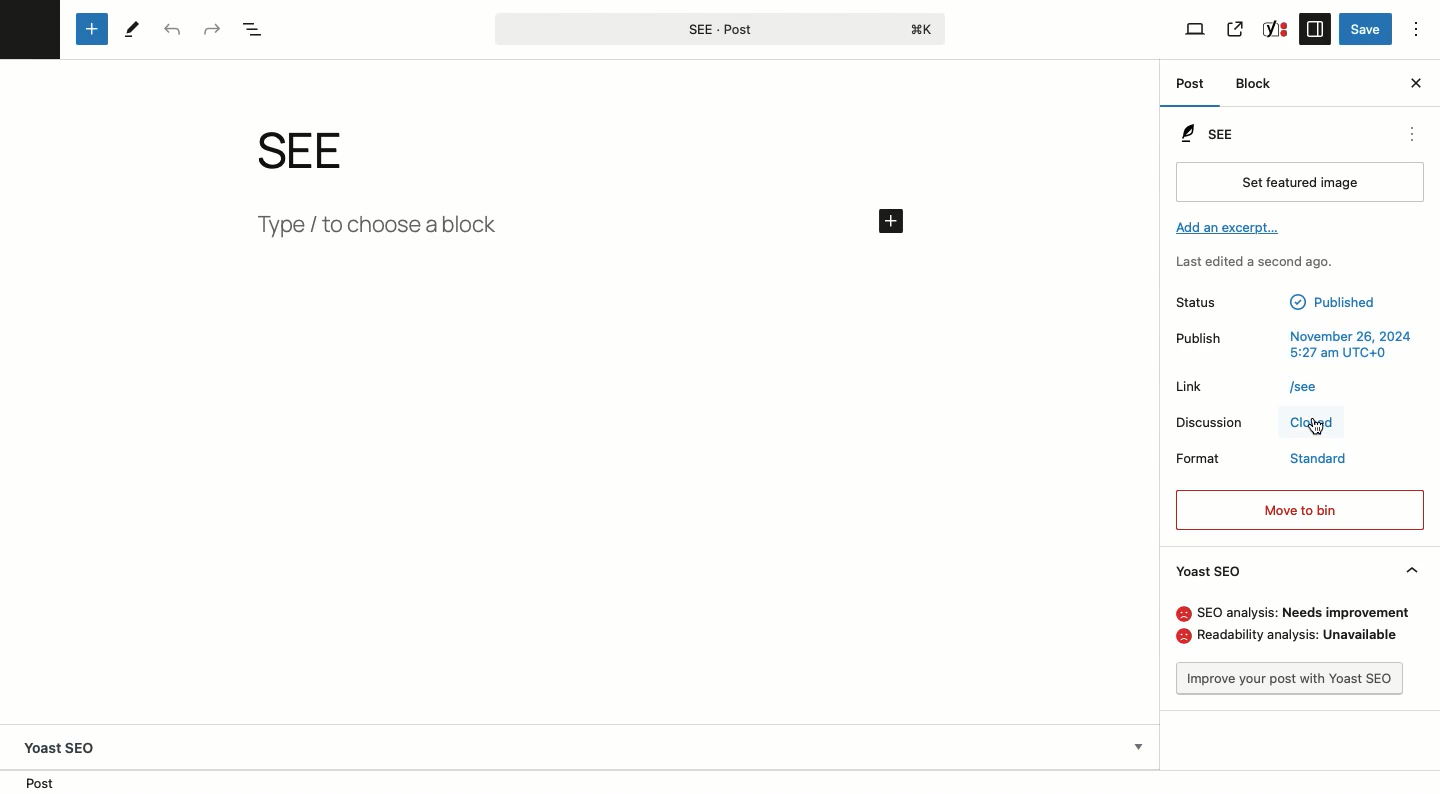  Describe the element at coordinates (1415, 26) in the screenshot. I see `Options` at that location.